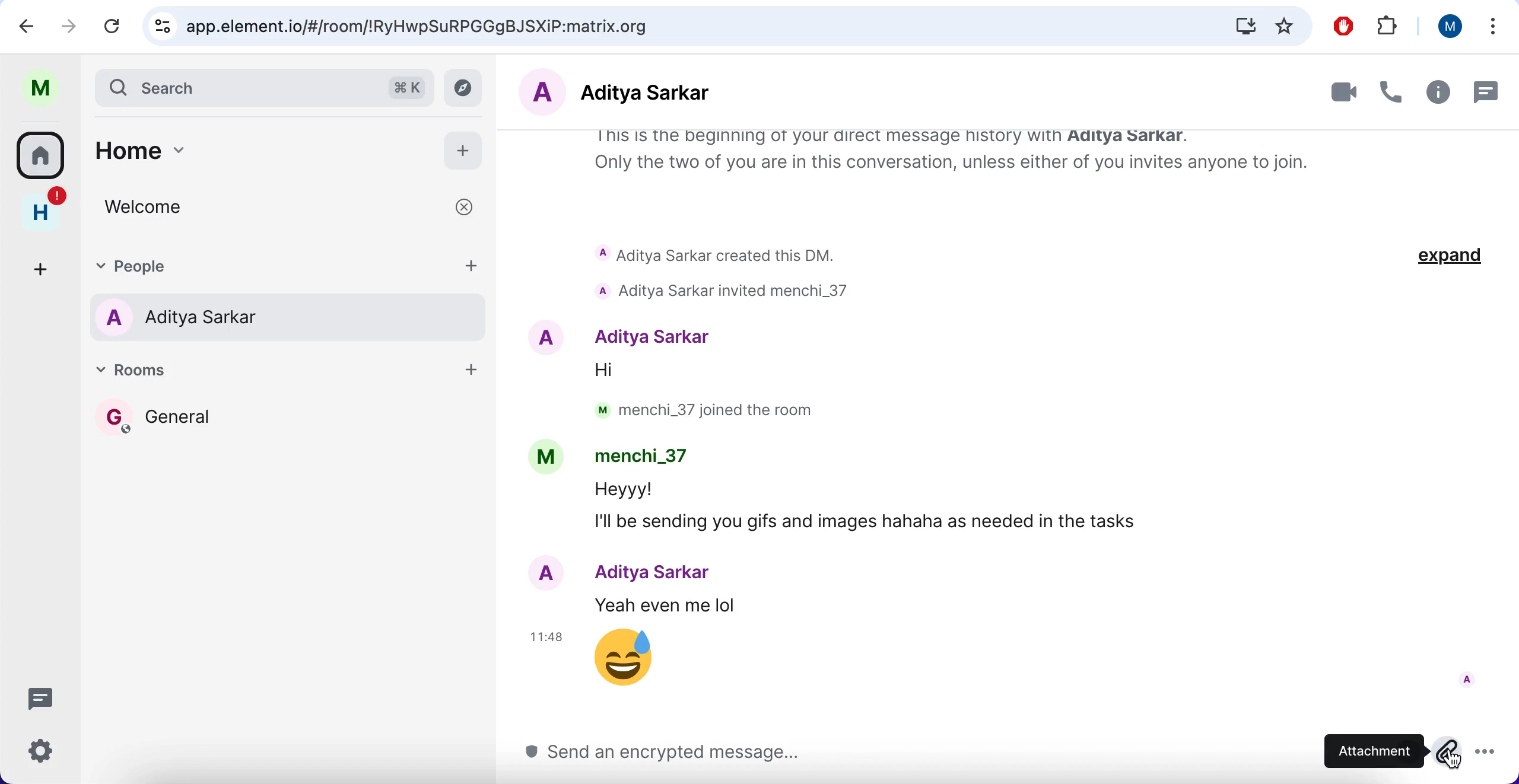  I want to click on A, so click(539, 88).